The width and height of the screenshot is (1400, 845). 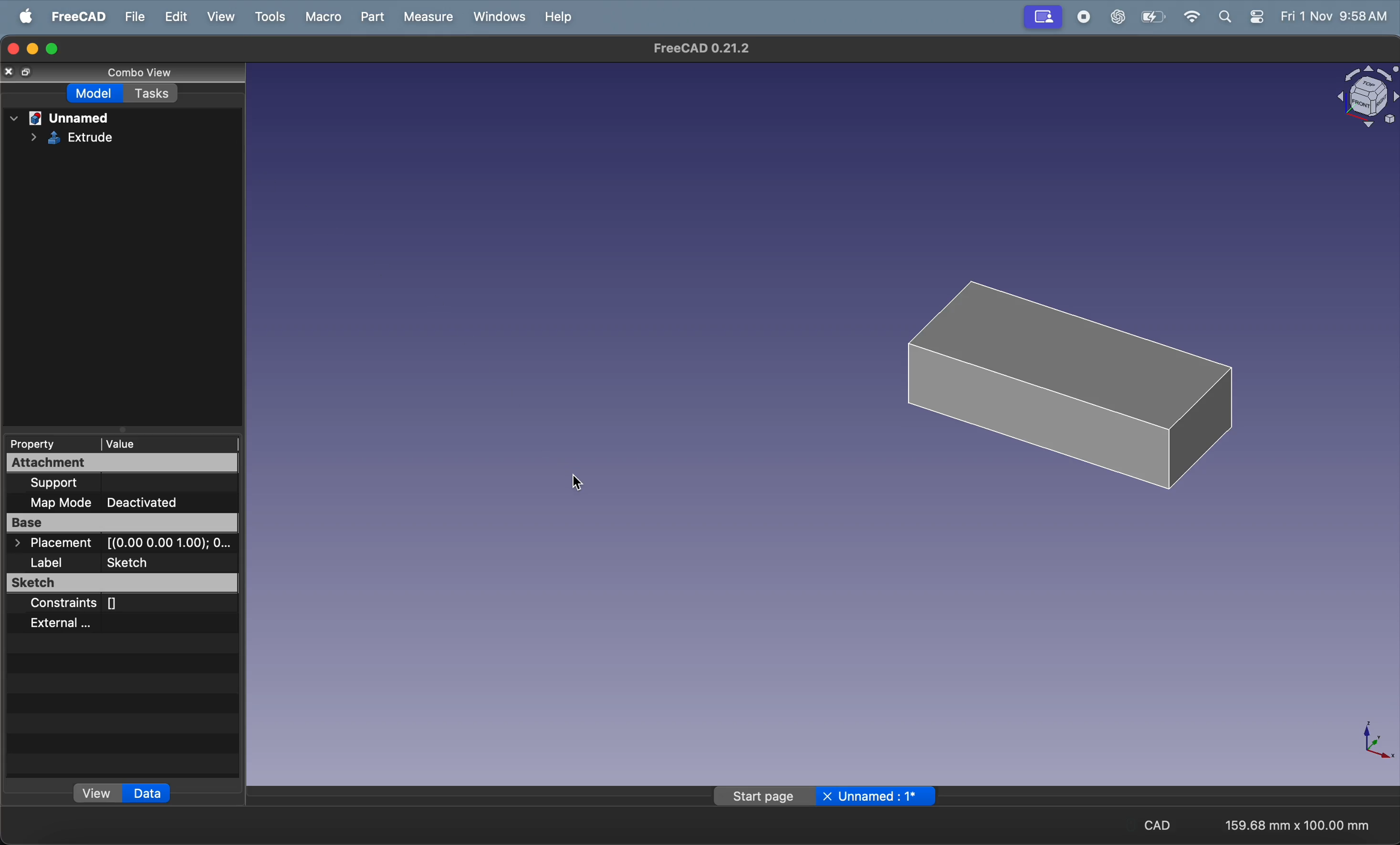 What do you see at coordinates (46, 444) in the screenshot?
I see `property` at bounding box center [46, 444].